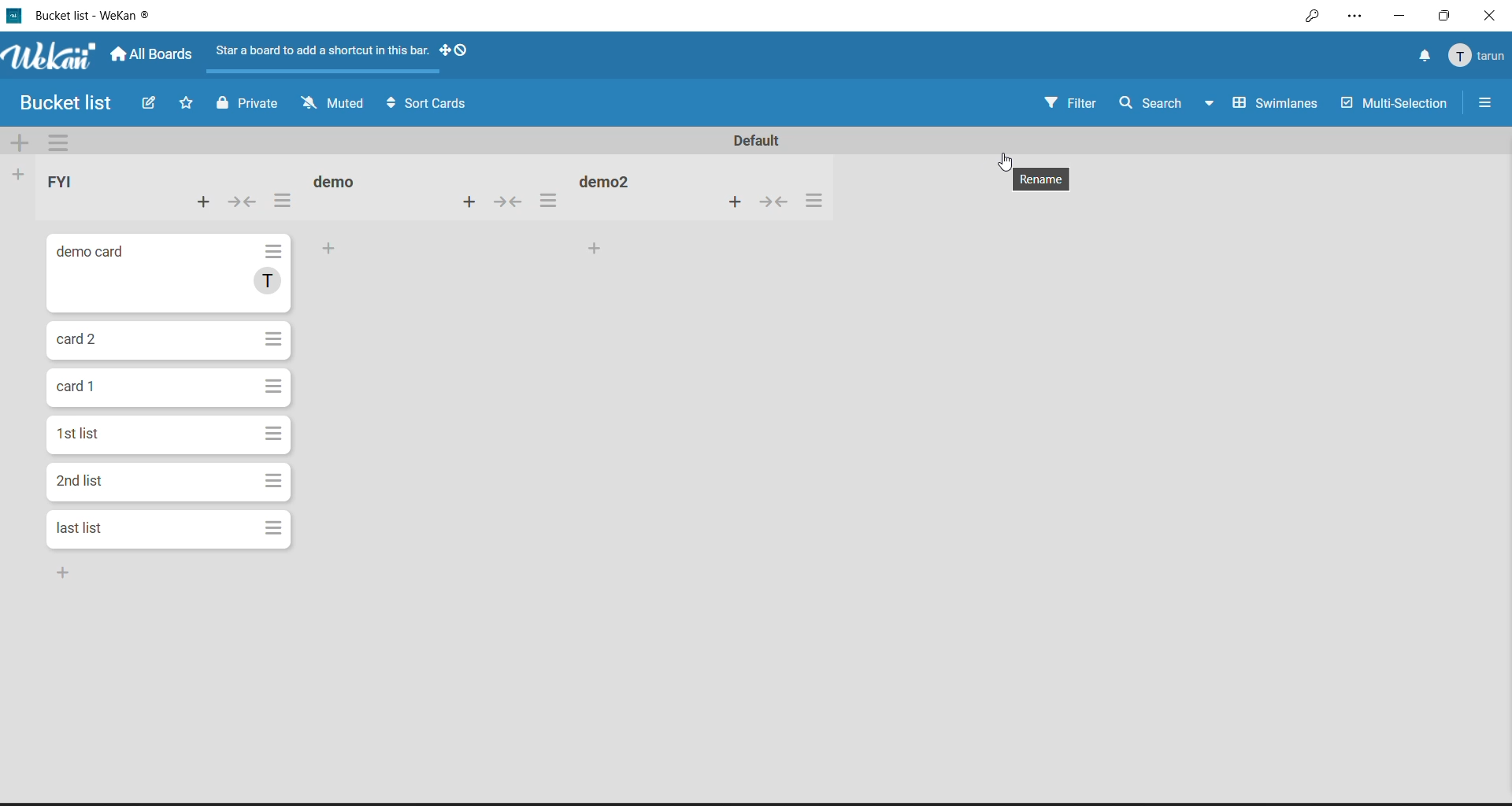 This screenshot has width=1512, height=806. Describe the element at coordinates (154, 54) in the screenshot. I see `all boards` at that location.